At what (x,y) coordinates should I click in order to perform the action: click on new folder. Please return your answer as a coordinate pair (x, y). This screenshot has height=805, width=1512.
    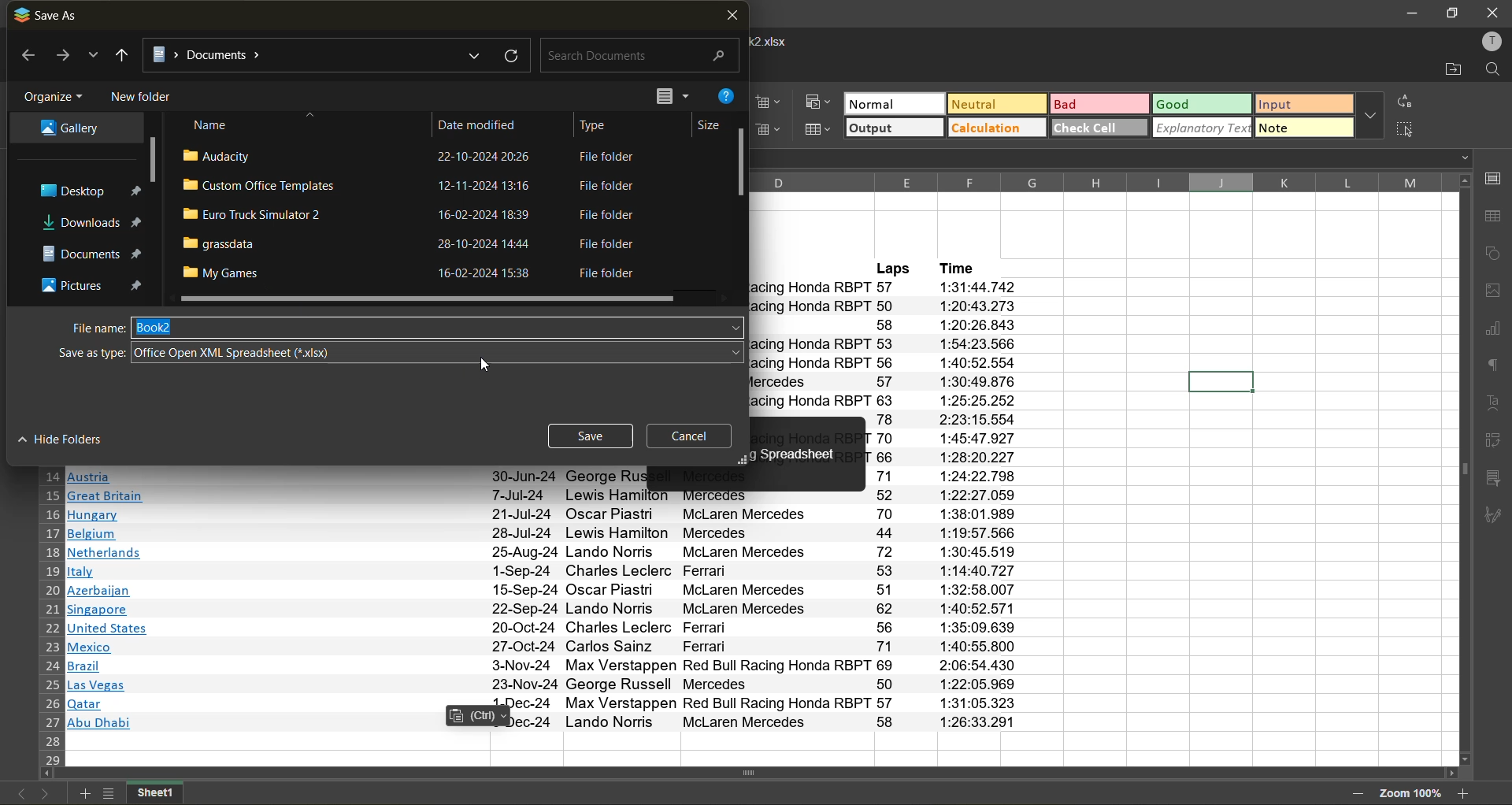
    Looking at the image, I should click on (143, 95).